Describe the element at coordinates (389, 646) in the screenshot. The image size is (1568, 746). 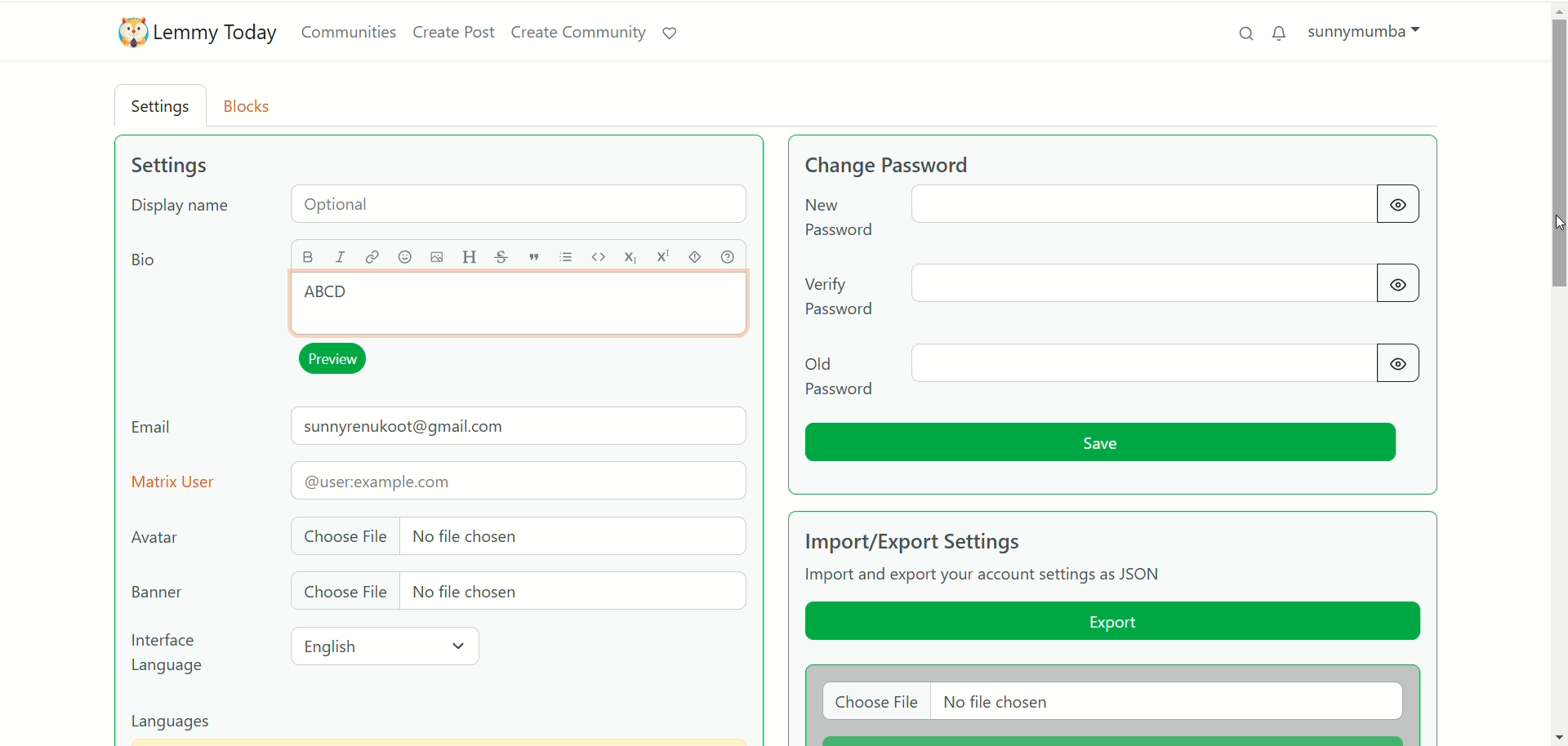
I see `english` at that location.